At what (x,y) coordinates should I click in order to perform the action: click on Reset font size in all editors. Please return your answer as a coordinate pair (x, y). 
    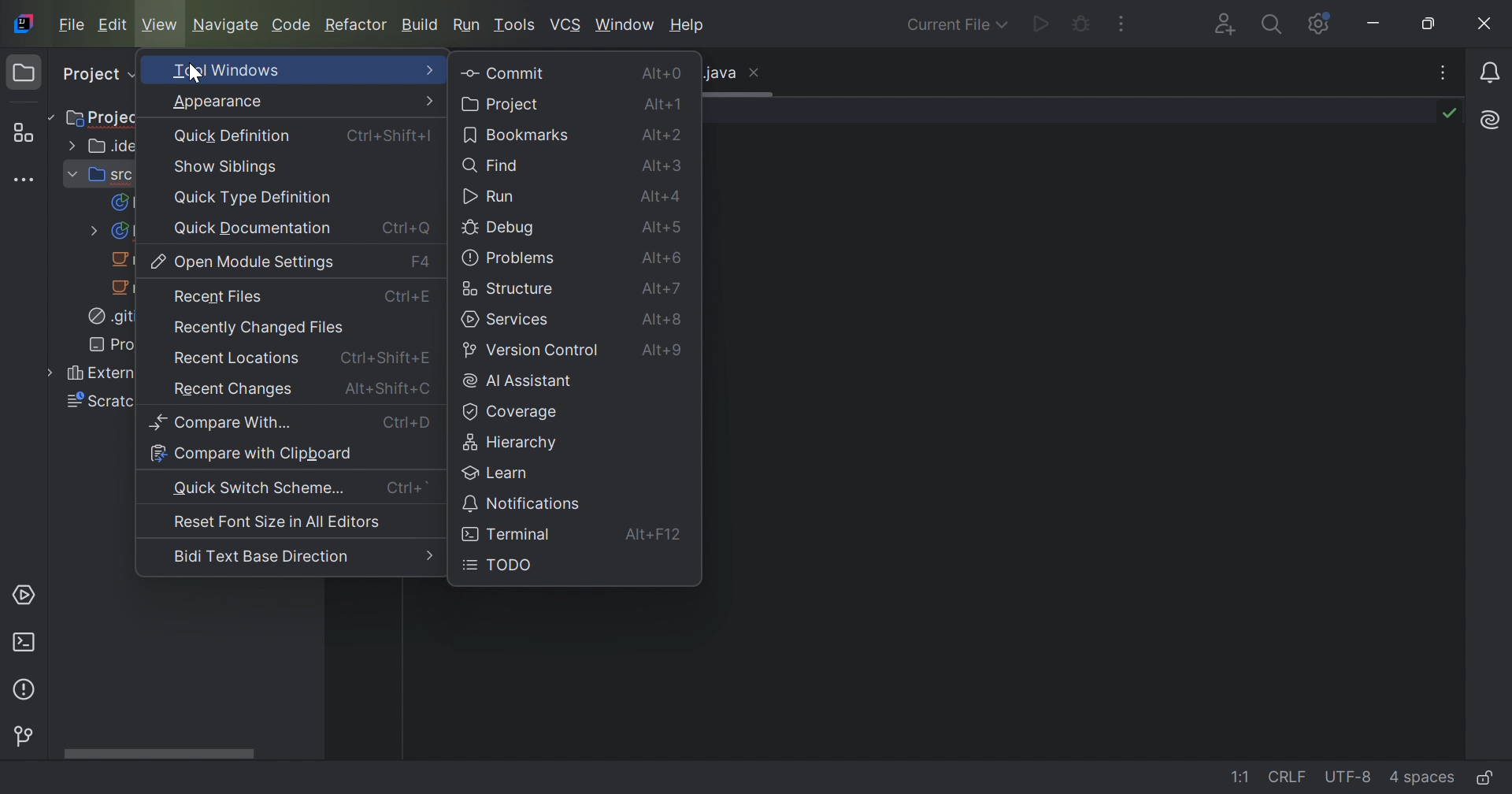
    Looking at the image, I should click on (277, 525).